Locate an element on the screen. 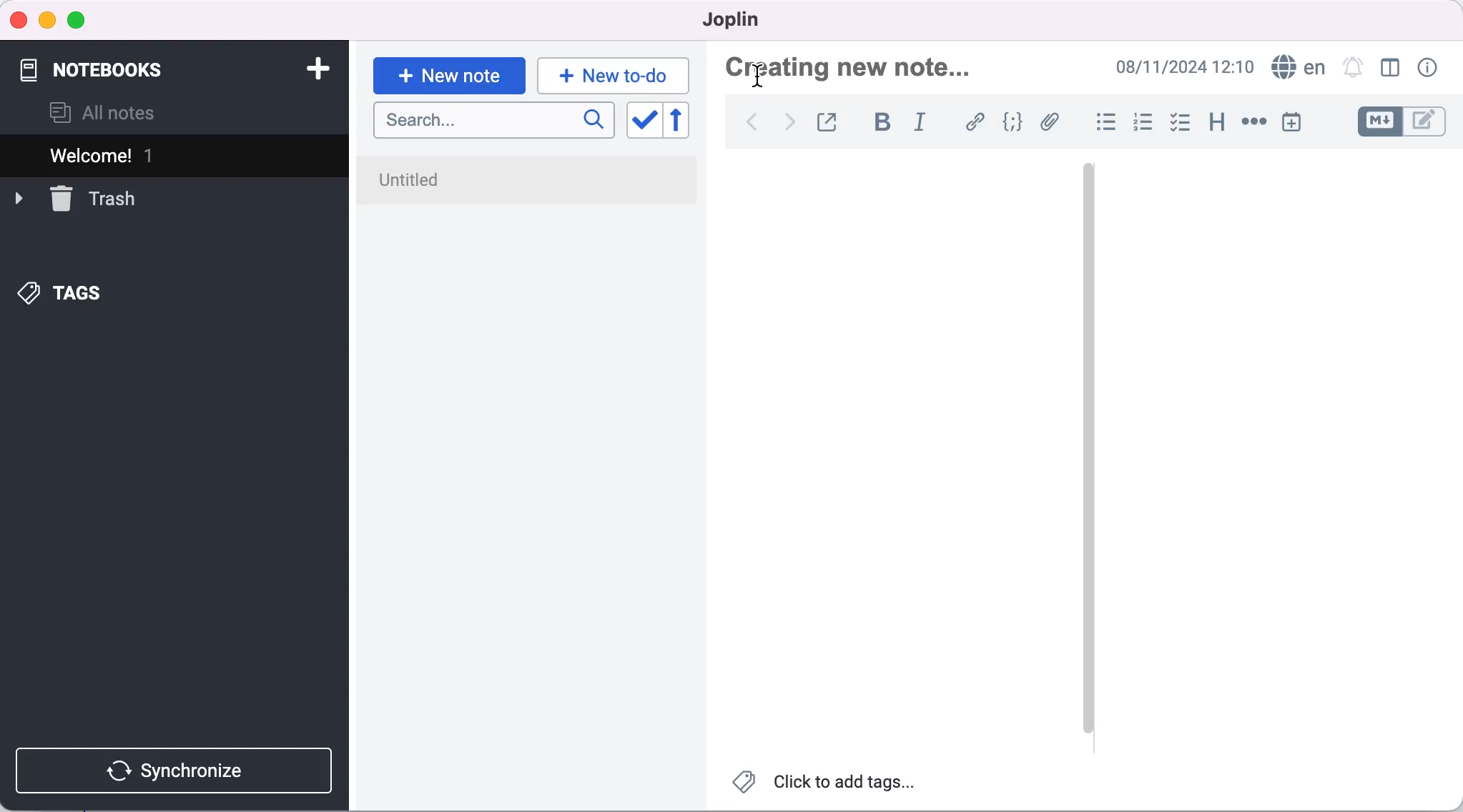  untitled note is located at coordinates (526, 180).